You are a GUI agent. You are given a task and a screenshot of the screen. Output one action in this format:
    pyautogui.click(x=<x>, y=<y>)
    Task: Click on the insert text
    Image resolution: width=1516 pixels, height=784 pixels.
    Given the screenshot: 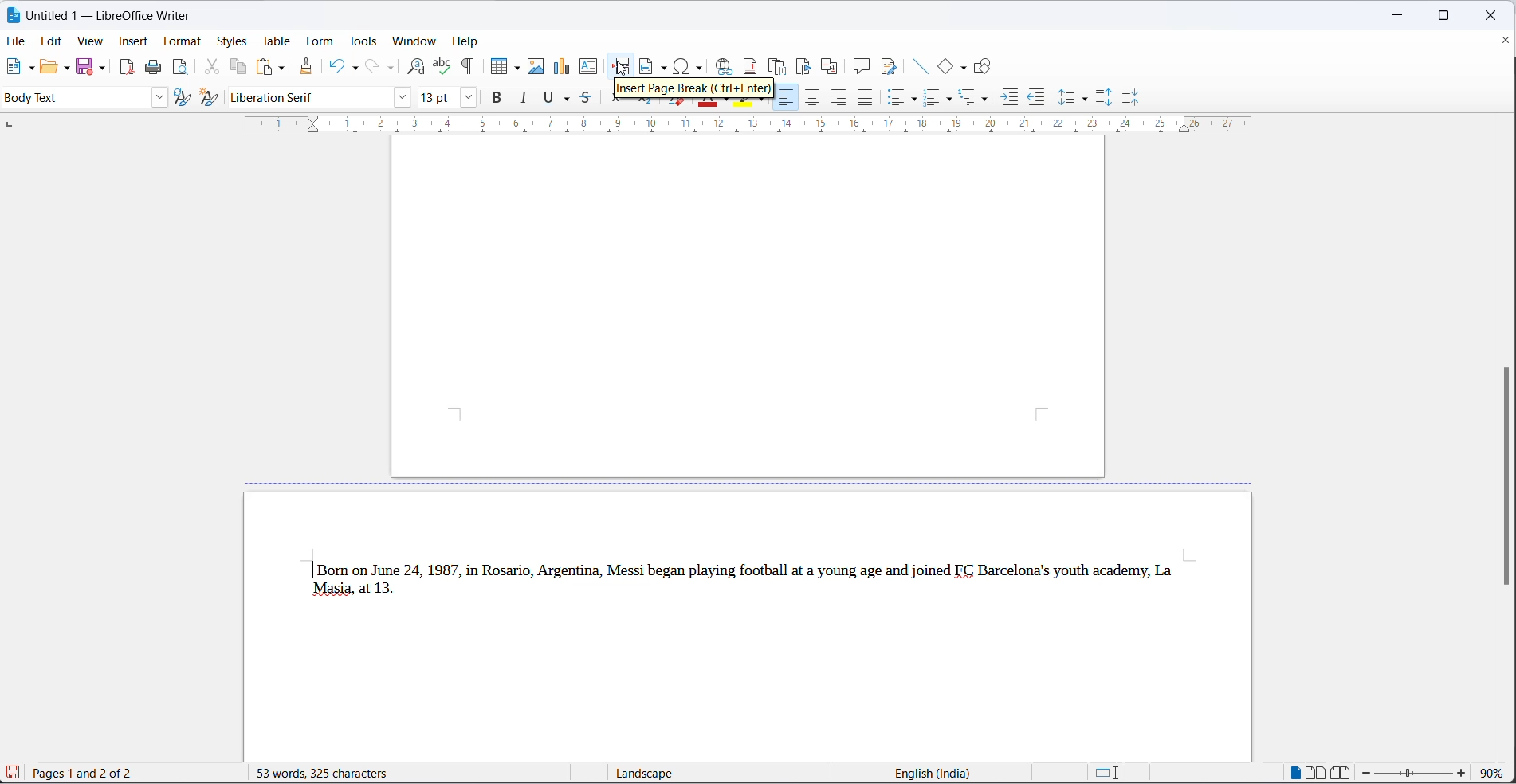 What is the action you would take?
    pyautogui.click(x=589, y=68)
    